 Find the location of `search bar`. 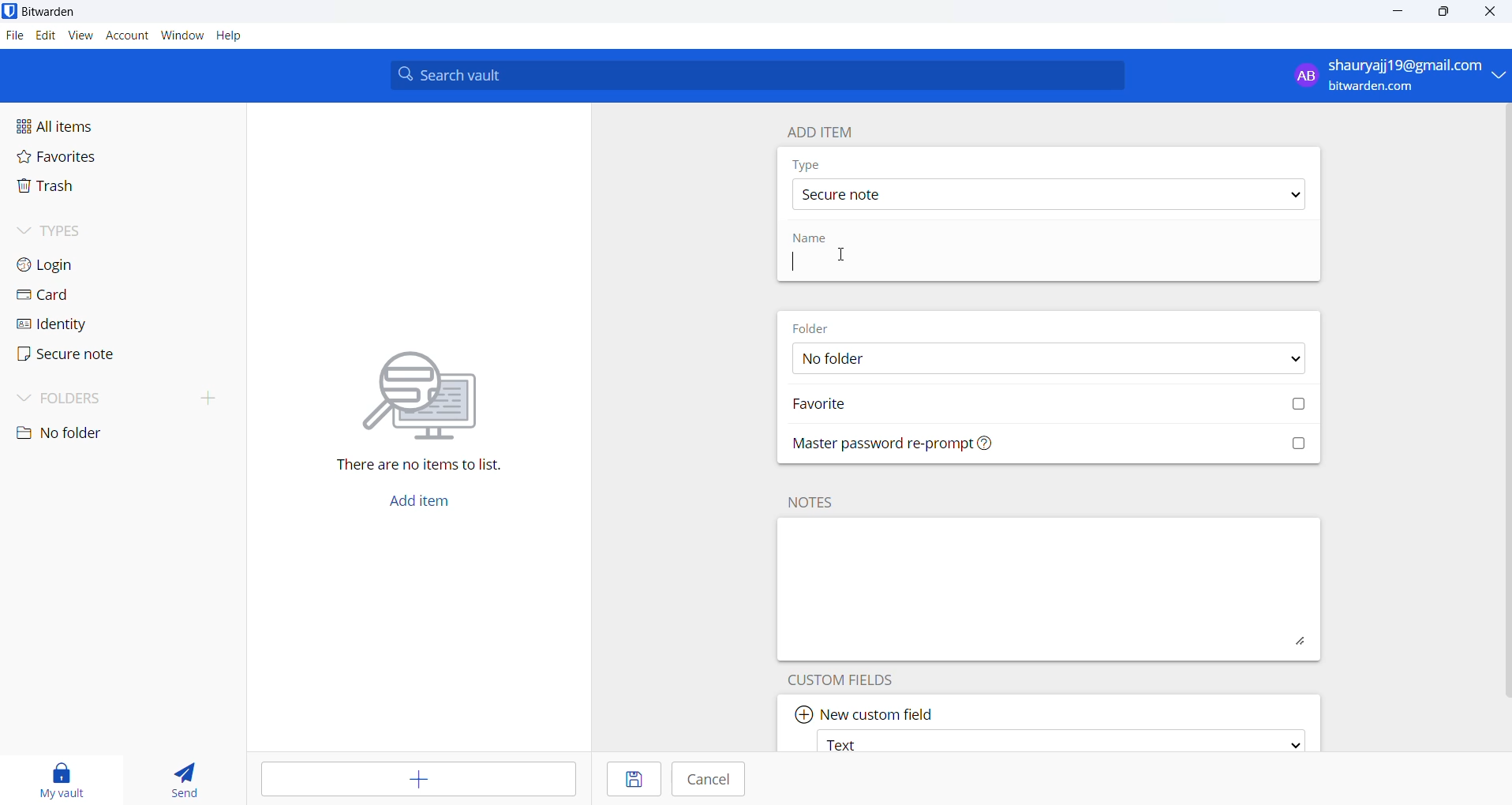

search bar is located at coordinates (757, 75).